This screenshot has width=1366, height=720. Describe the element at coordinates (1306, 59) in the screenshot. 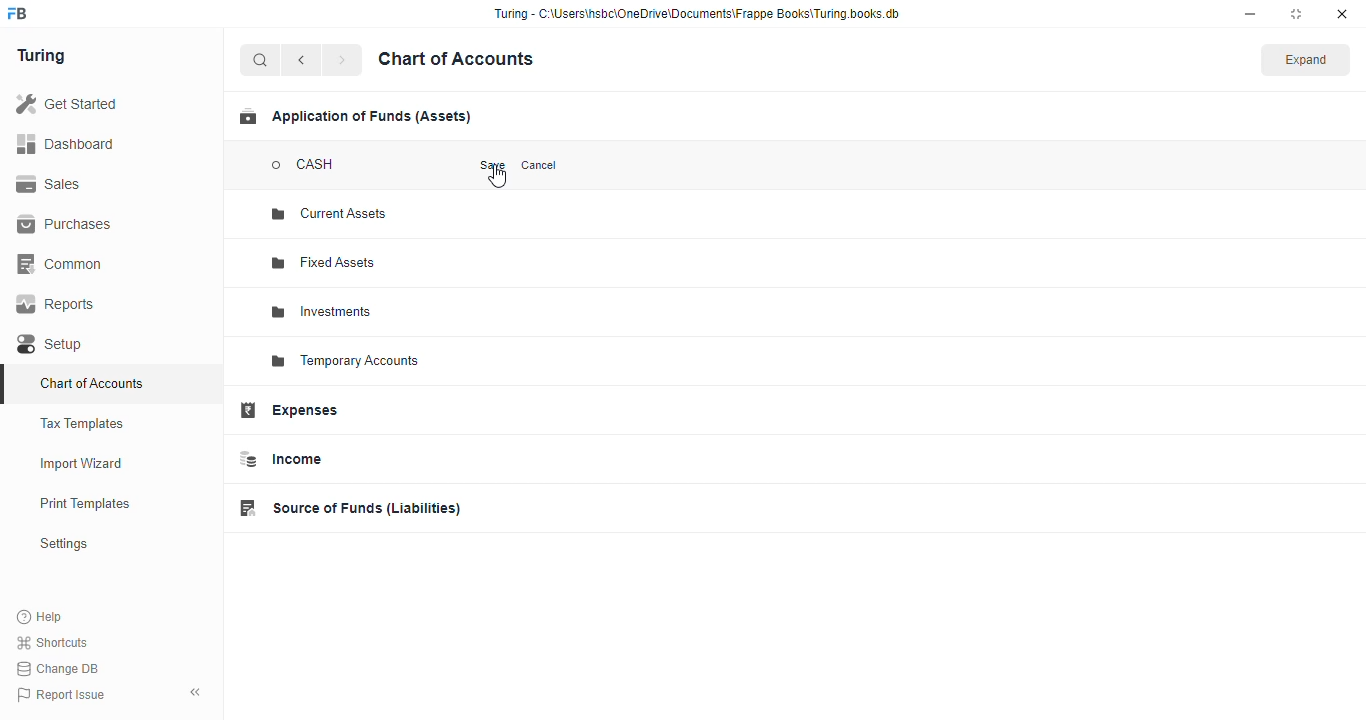

I see `expand` at that location.